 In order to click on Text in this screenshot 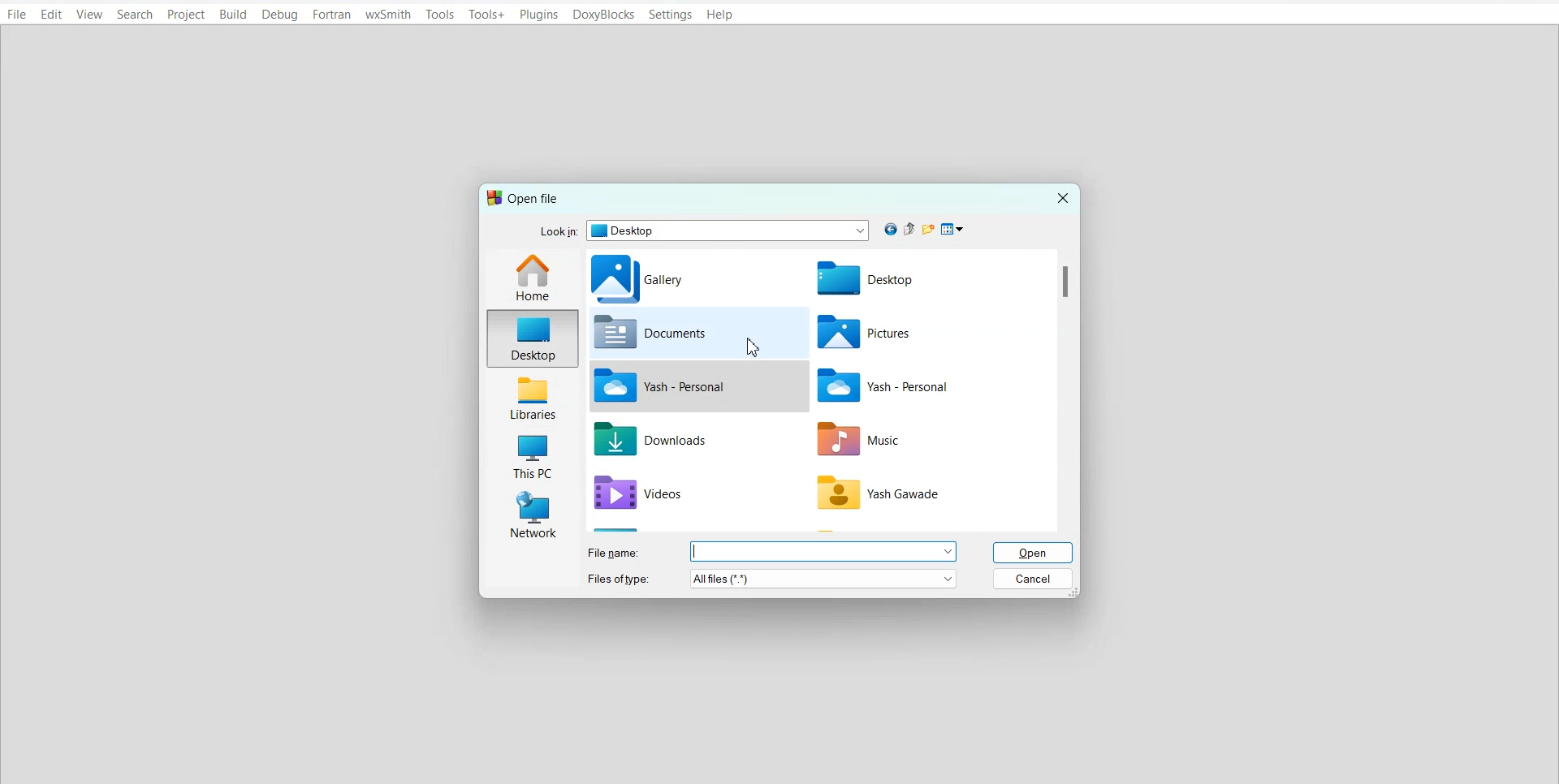, I will do `click(525, 198)`.